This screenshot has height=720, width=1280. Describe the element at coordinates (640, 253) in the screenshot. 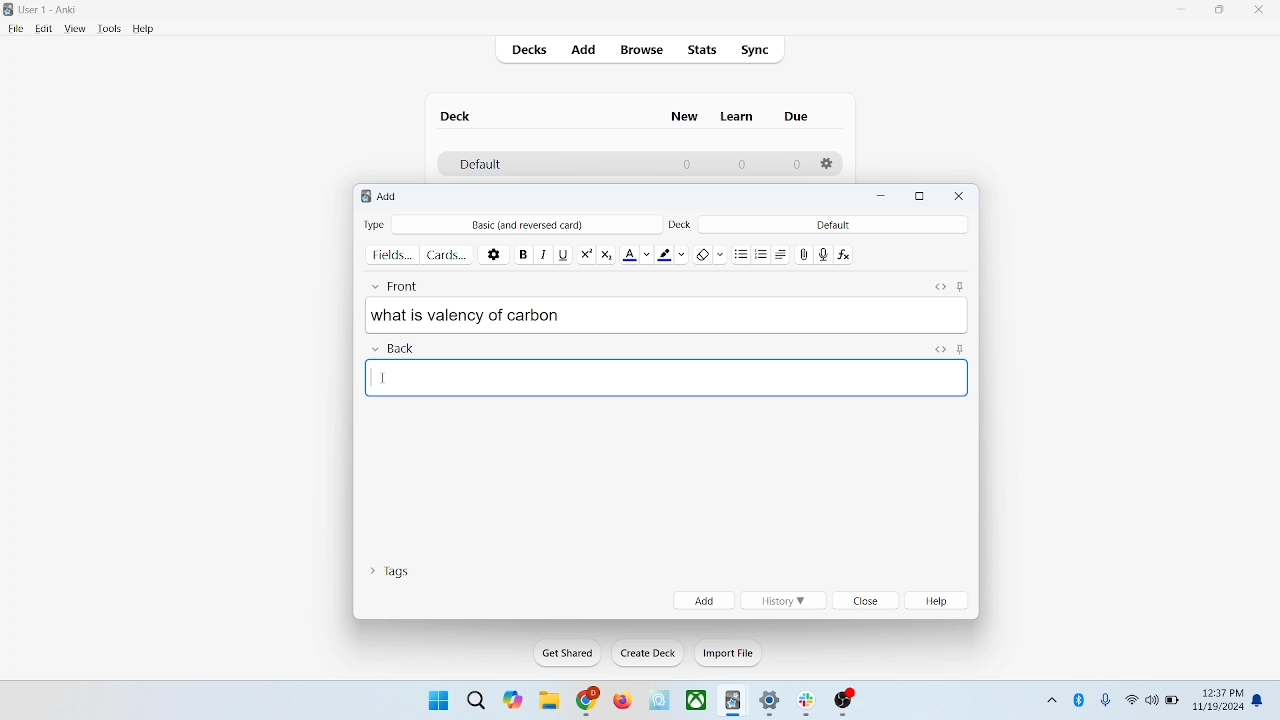

I see `text color` at that location.